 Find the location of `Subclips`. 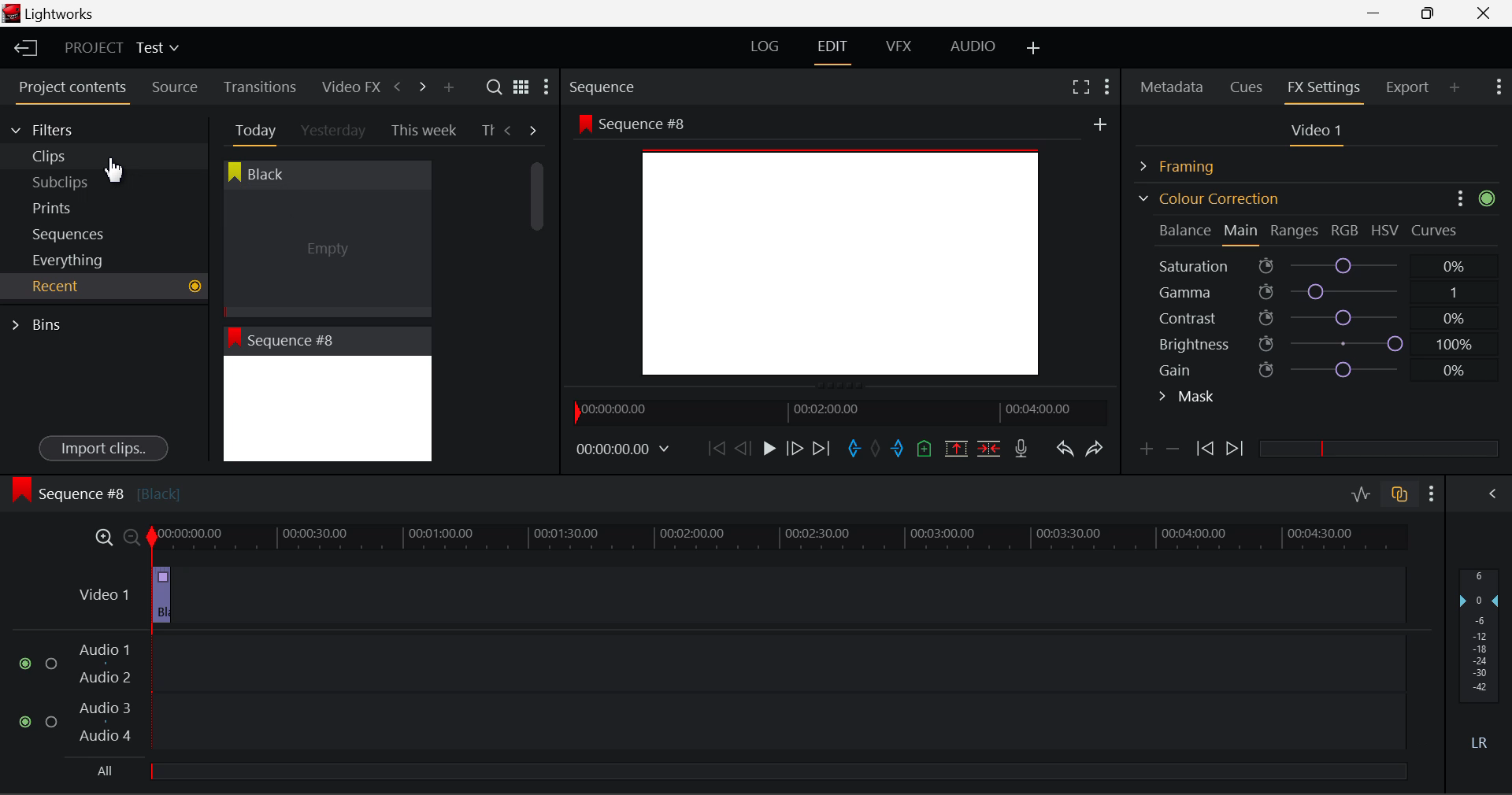

Subclips is located at coordinates (76, 182).